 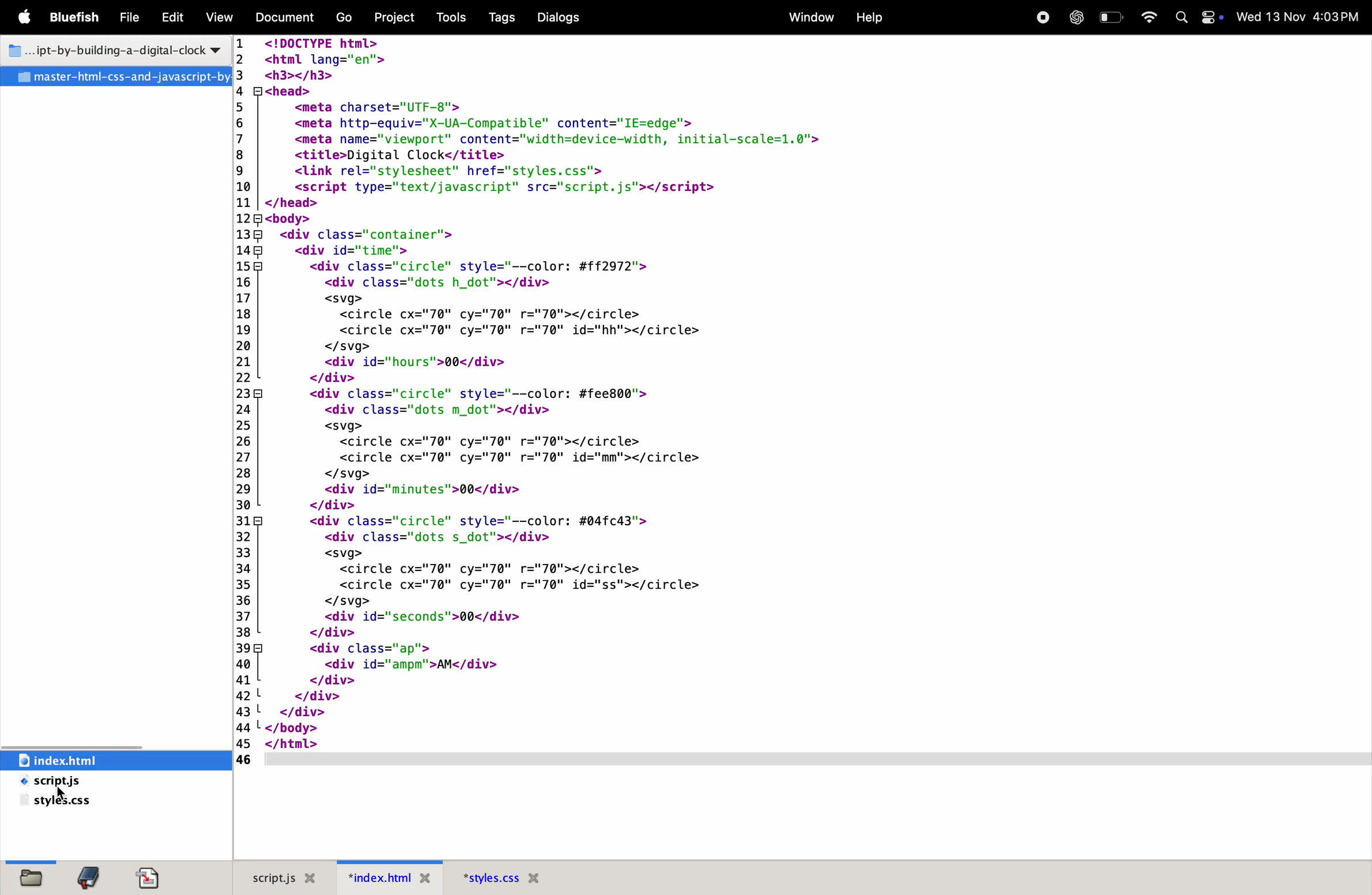 I want to click on time and date, so click(x=1299, y=16).